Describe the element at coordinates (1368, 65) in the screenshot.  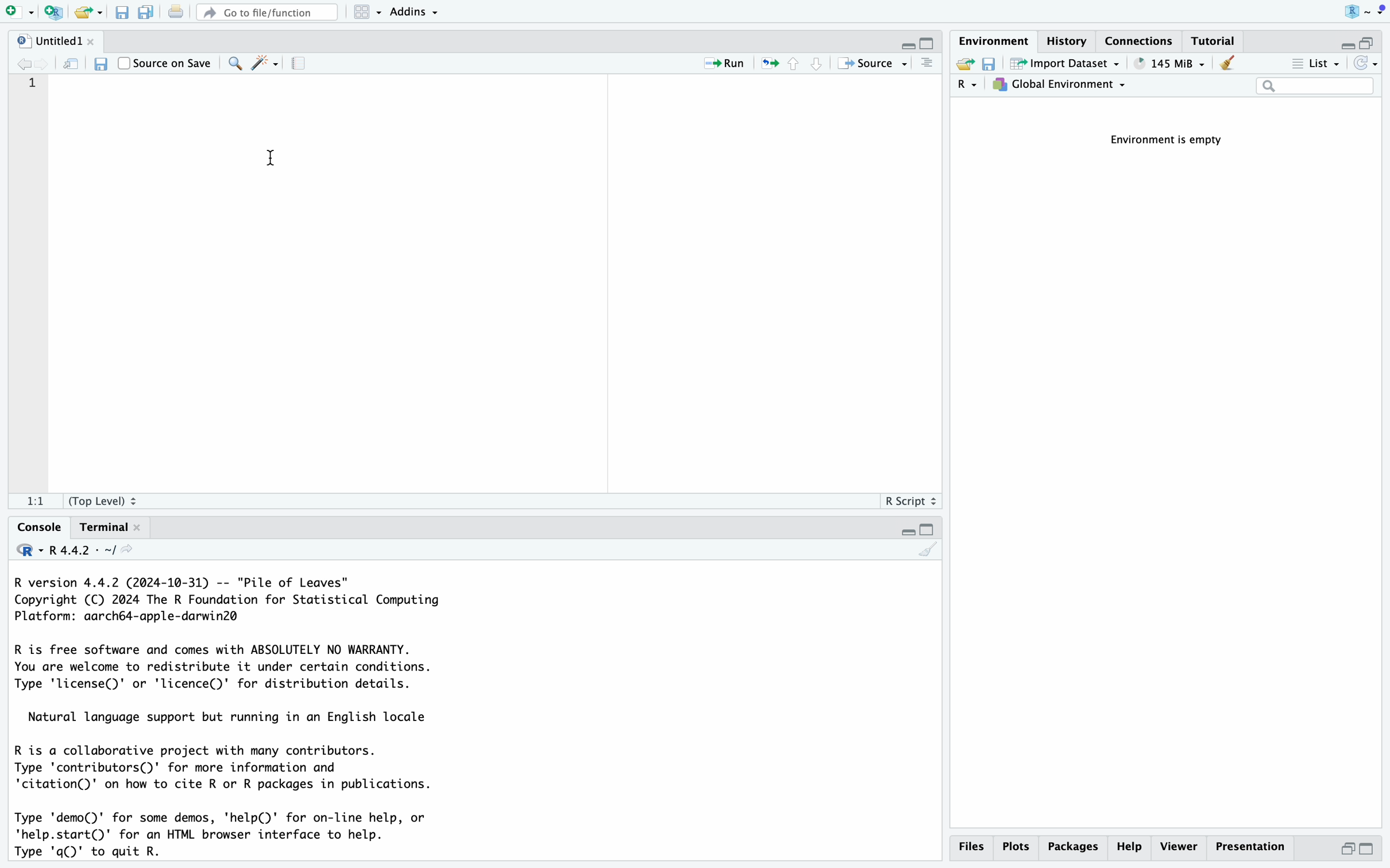
I see `refresh the list of objects in the environment` at that location.